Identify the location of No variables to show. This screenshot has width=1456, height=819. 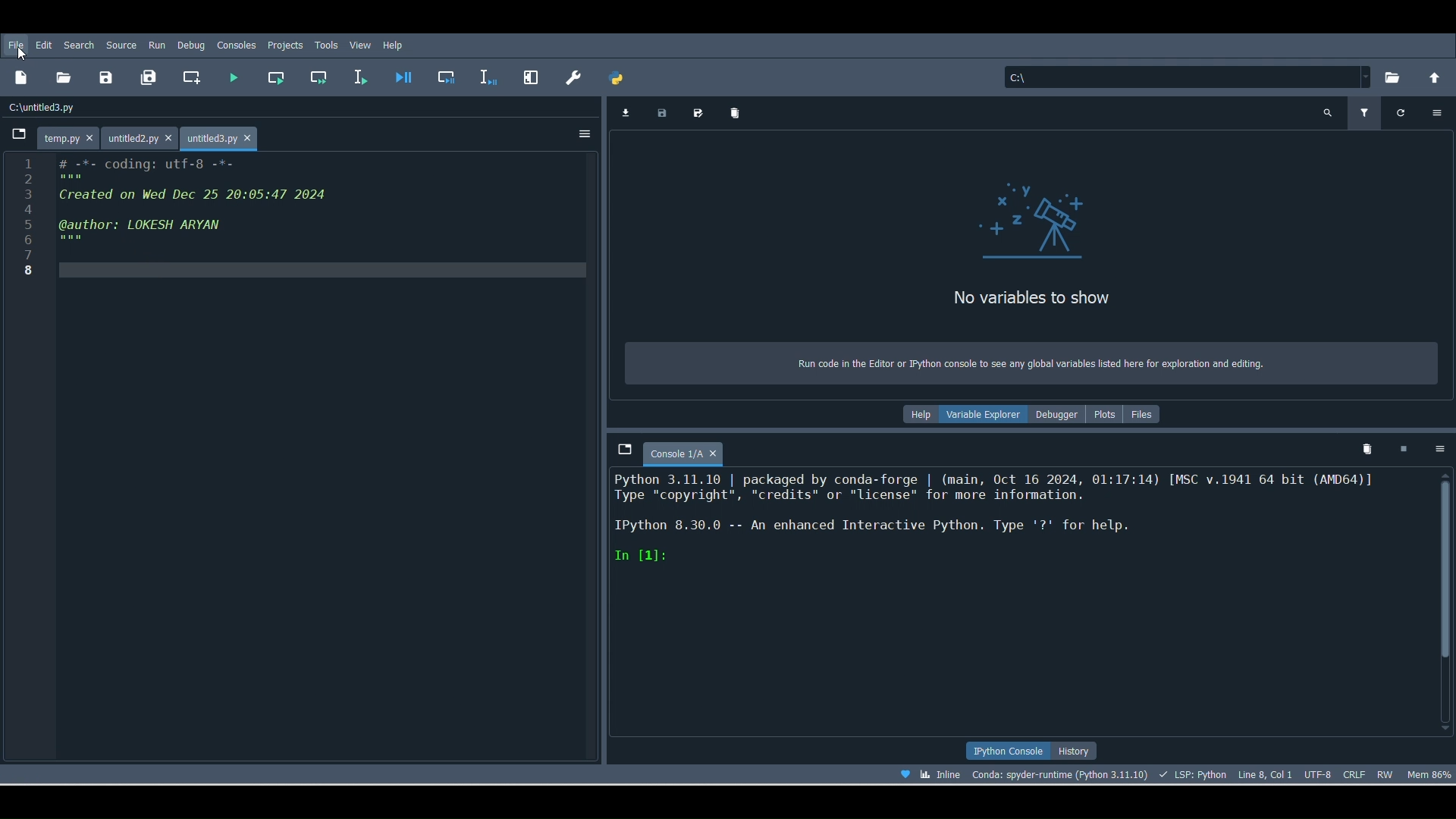
(1039, 297).